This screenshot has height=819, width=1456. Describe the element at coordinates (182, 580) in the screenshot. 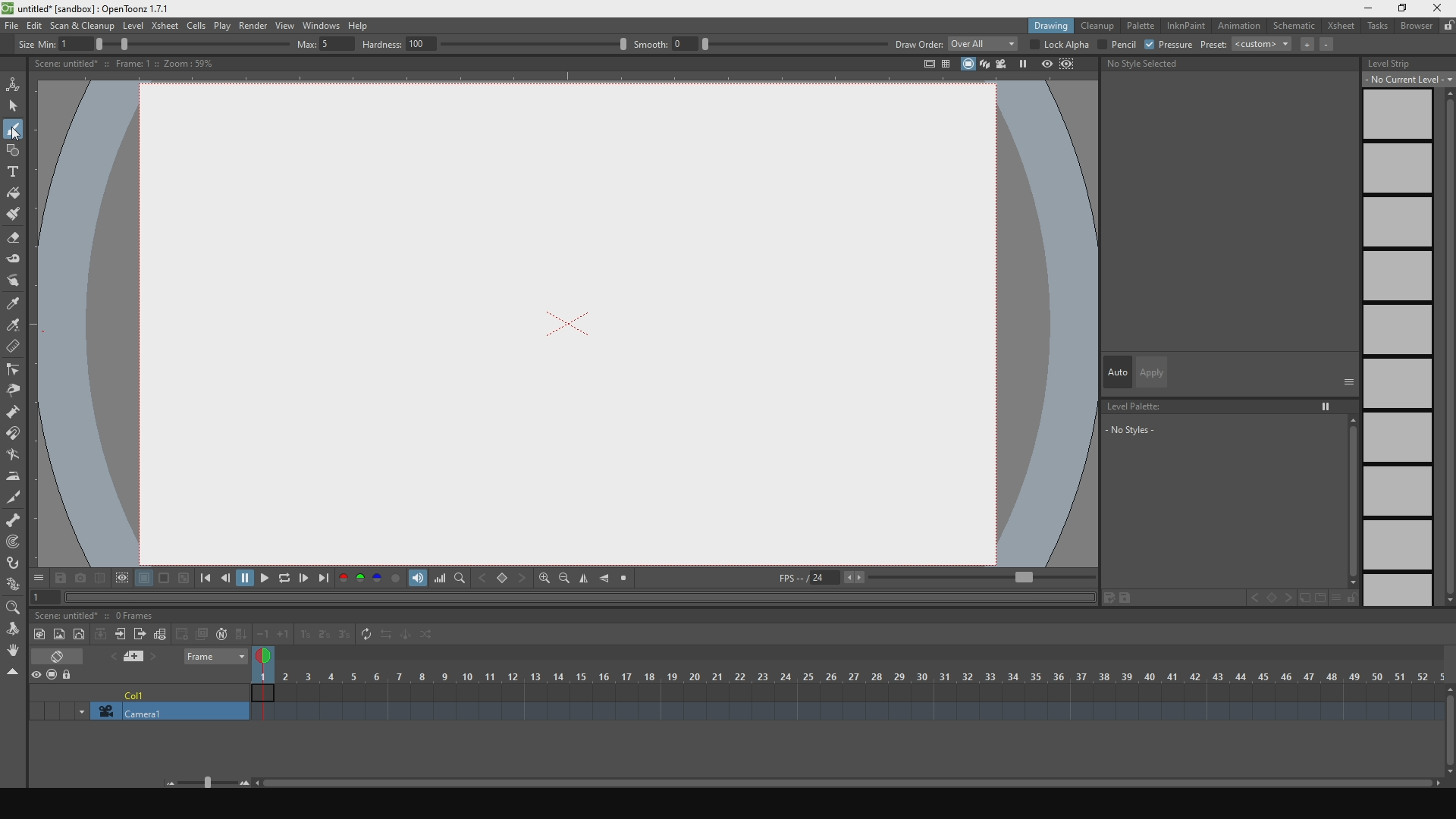

I see `black and white background` at that location.